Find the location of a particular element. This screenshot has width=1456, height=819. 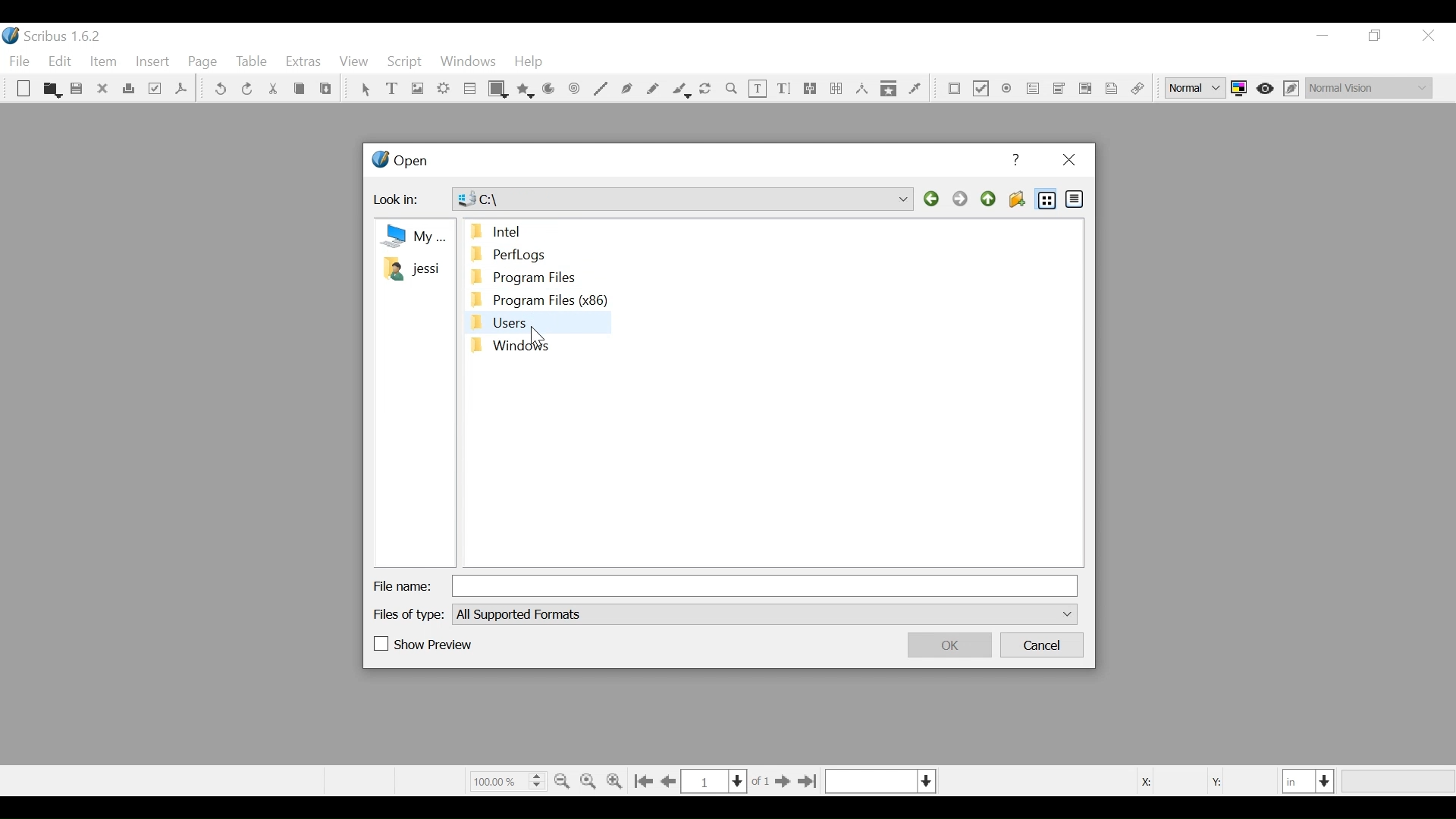

Windows is located at coordinates (468, 63).